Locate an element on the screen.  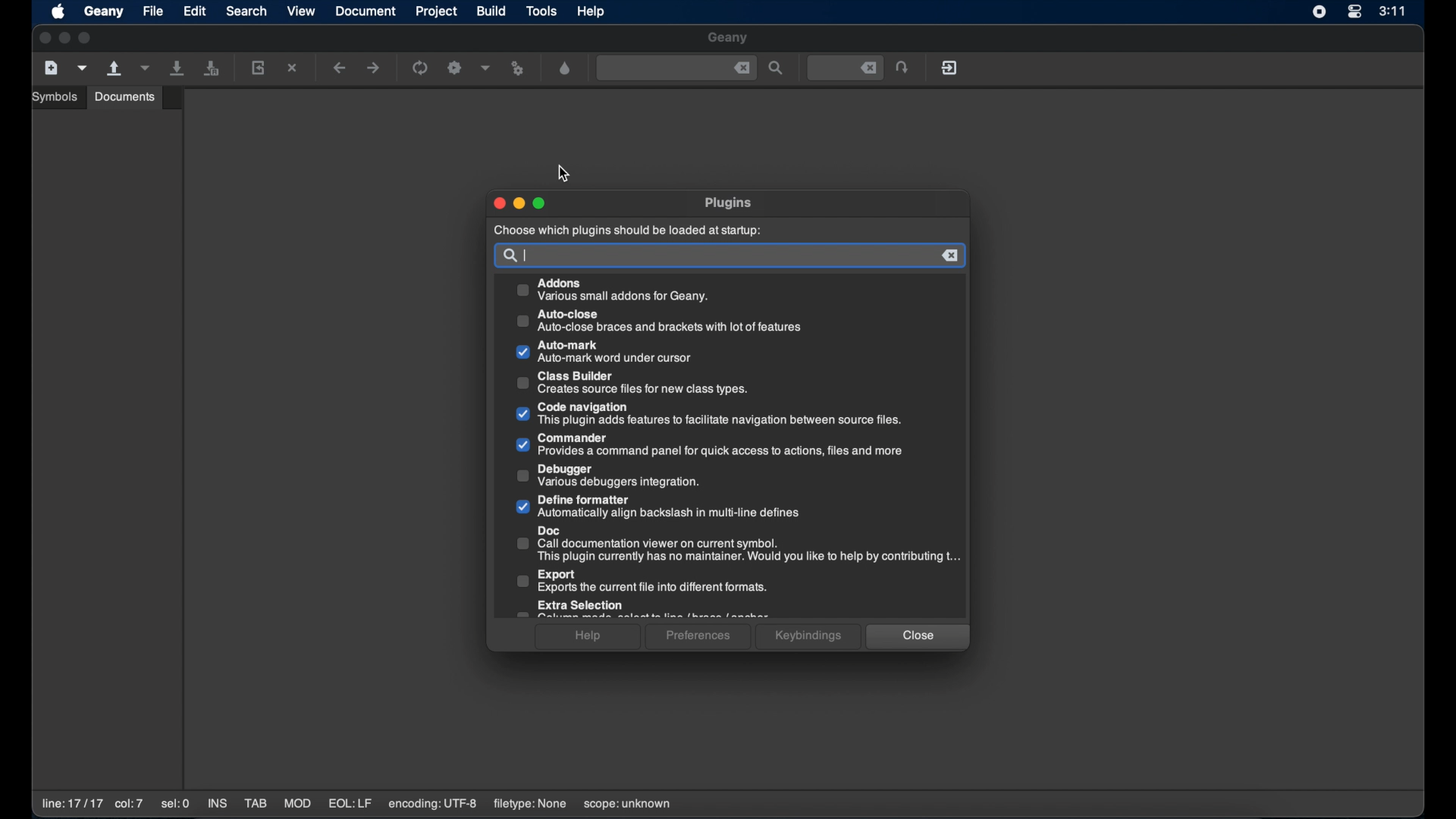
save all open files is located at coordinates (212, 69).